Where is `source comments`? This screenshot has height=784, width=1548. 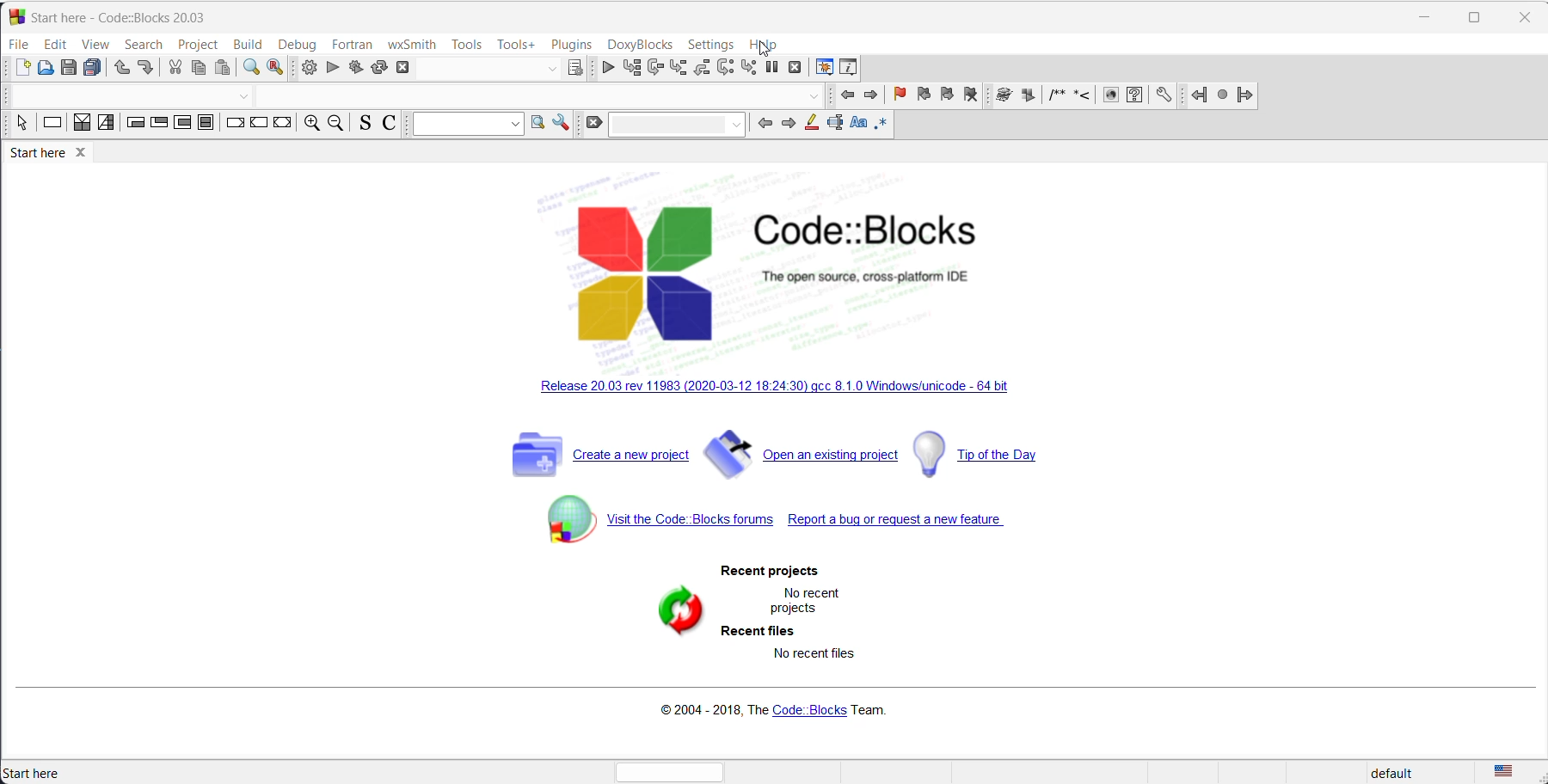
source comments is located at coordinates (363, 125).